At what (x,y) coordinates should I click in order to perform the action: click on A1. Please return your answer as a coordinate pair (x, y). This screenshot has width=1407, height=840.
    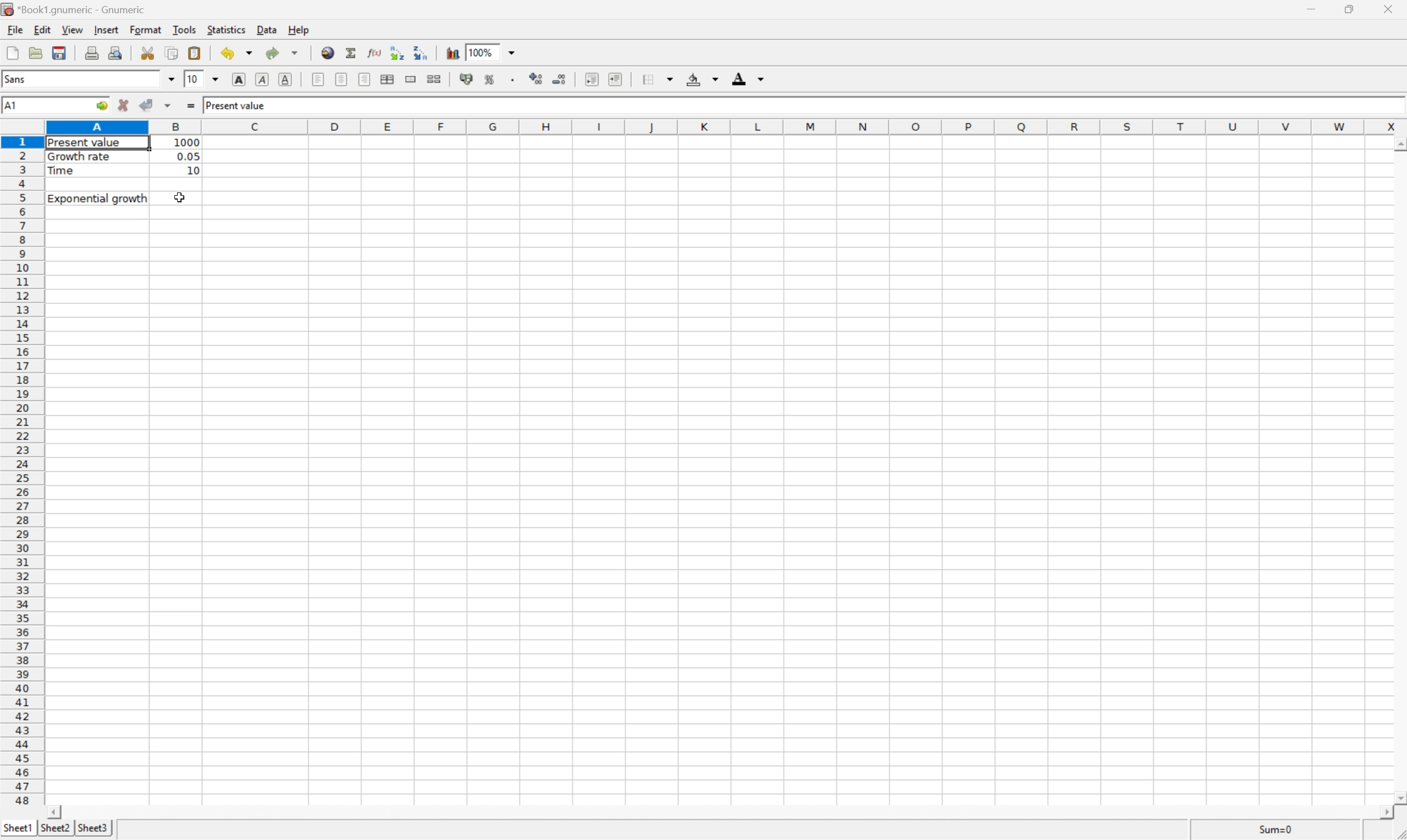
    Looking at the image, I should click on (13, 104).